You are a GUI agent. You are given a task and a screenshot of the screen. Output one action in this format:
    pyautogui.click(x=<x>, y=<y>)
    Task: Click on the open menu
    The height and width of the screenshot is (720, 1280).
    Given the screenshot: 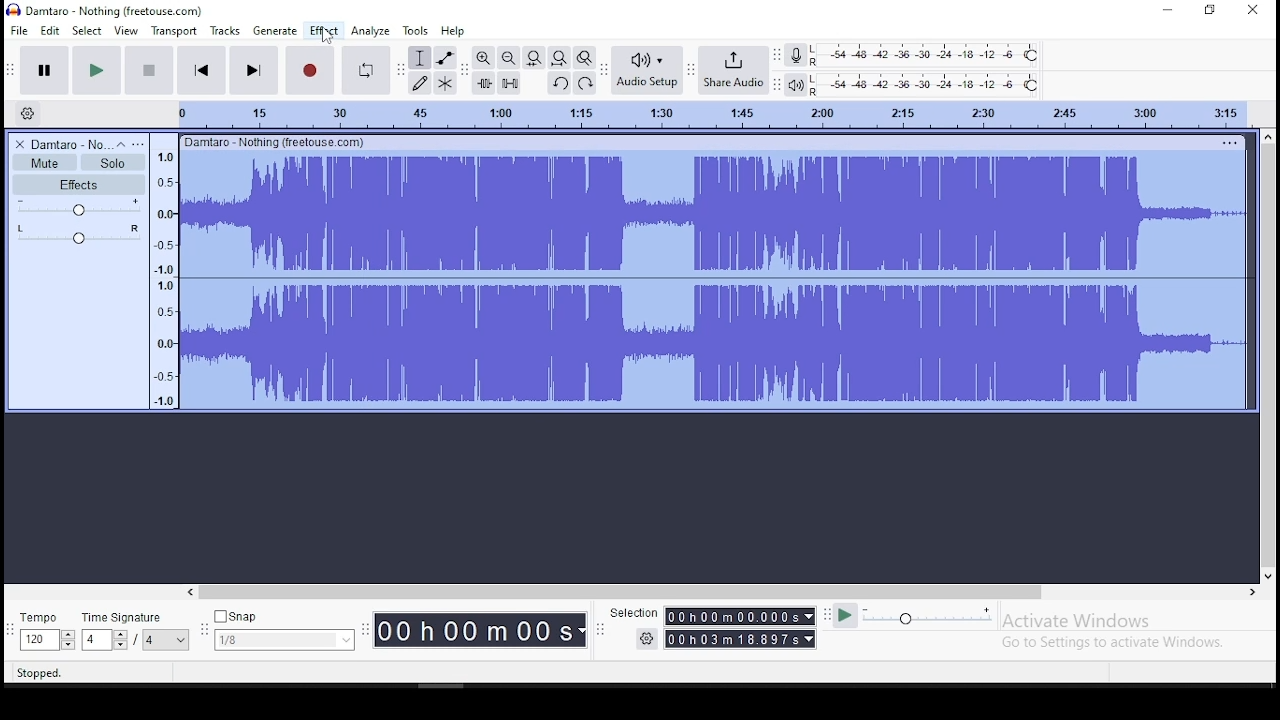 What is the action you would take?
    pyautogui.click(x=141, y=142)
    